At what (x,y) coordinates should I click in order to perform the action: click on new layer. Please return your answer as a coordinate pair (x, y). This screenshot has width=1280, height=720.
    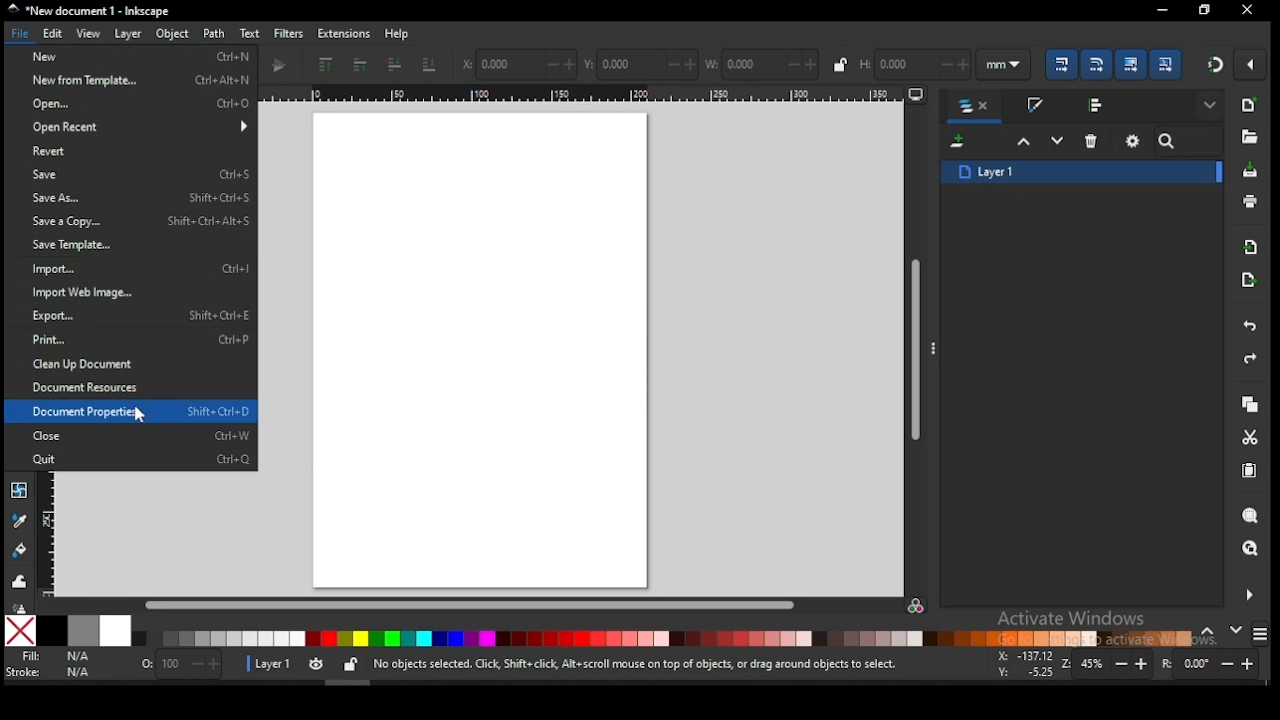
    Looking at the image, I should click on (960, 143).